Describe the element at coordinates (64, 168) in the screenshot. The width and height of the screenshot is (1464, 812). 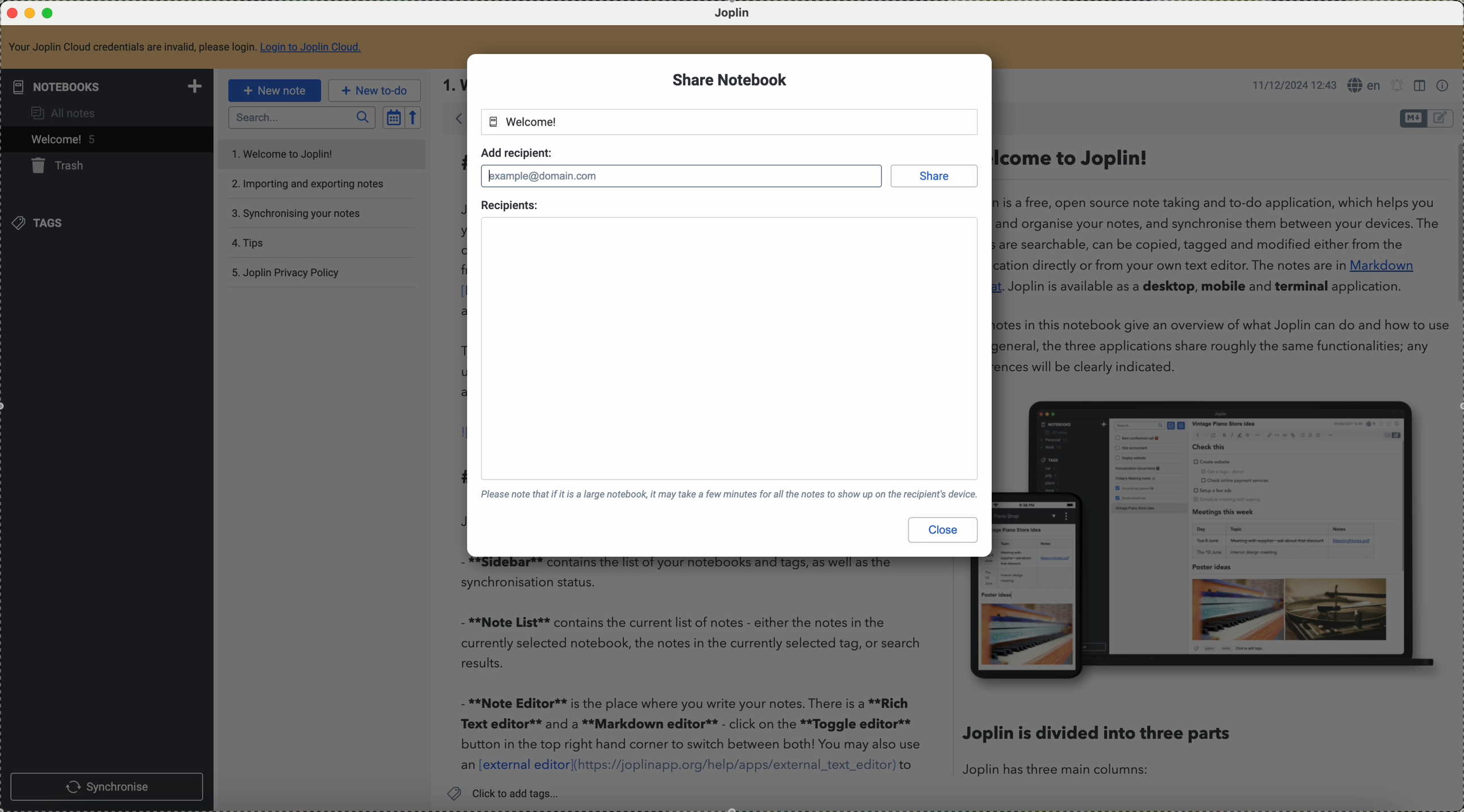
I see `trash` at that location.